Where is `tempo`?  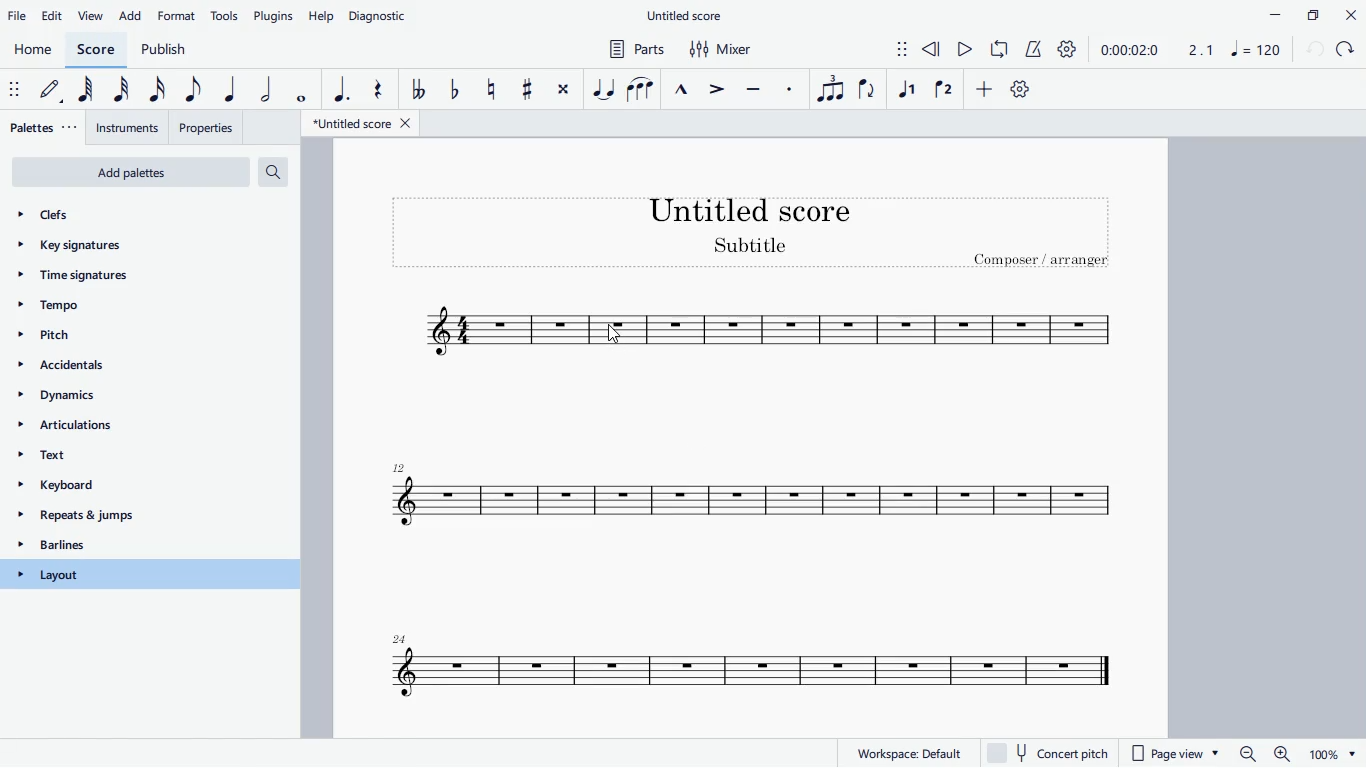
tempo is located at coordinates (117, 307).